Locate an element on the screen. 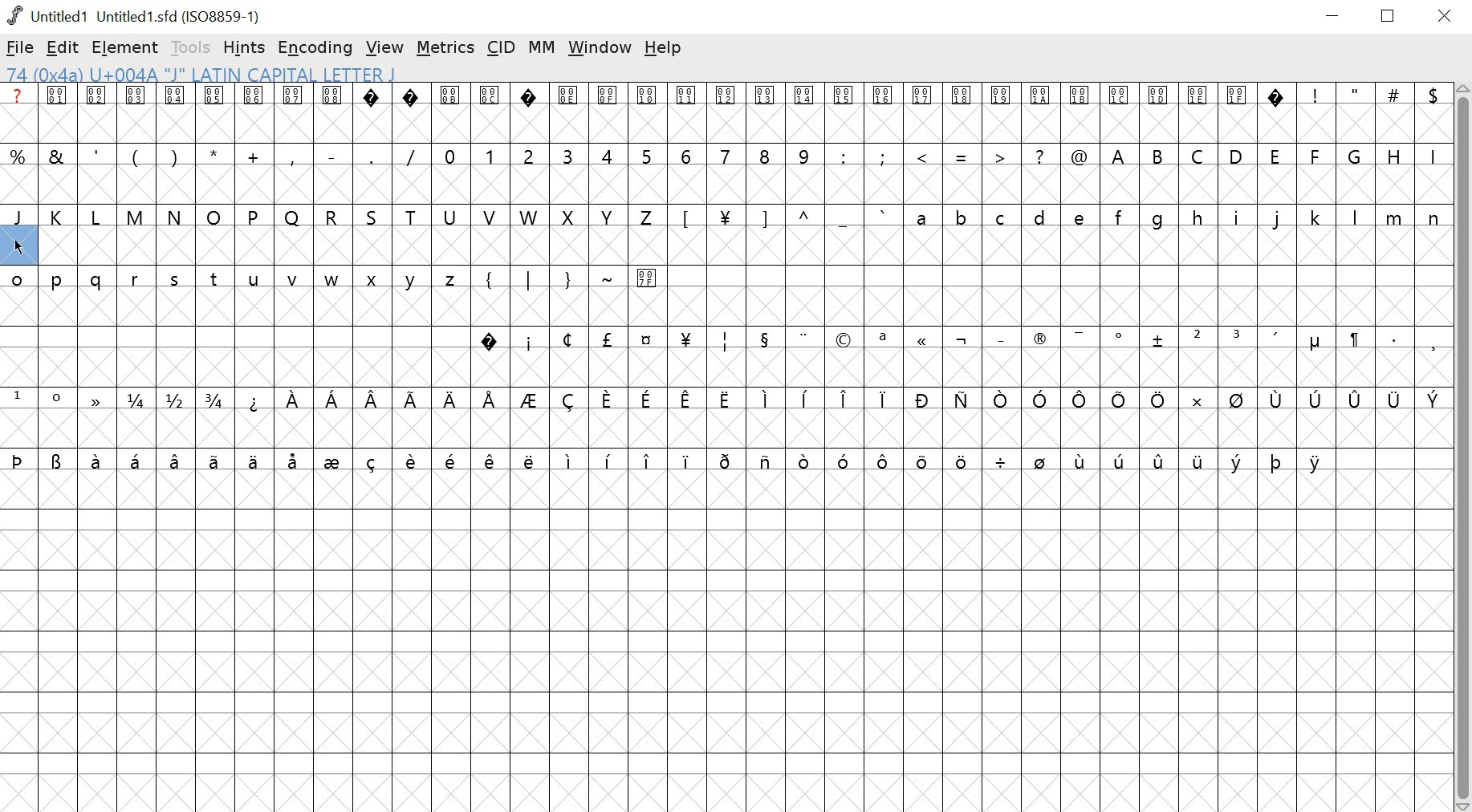 This screenshot has height=812, width=1472. 74 (0x4a) U+004A "J" LATIN CAPITAL LETTER J is located at coordinates (303, 74).